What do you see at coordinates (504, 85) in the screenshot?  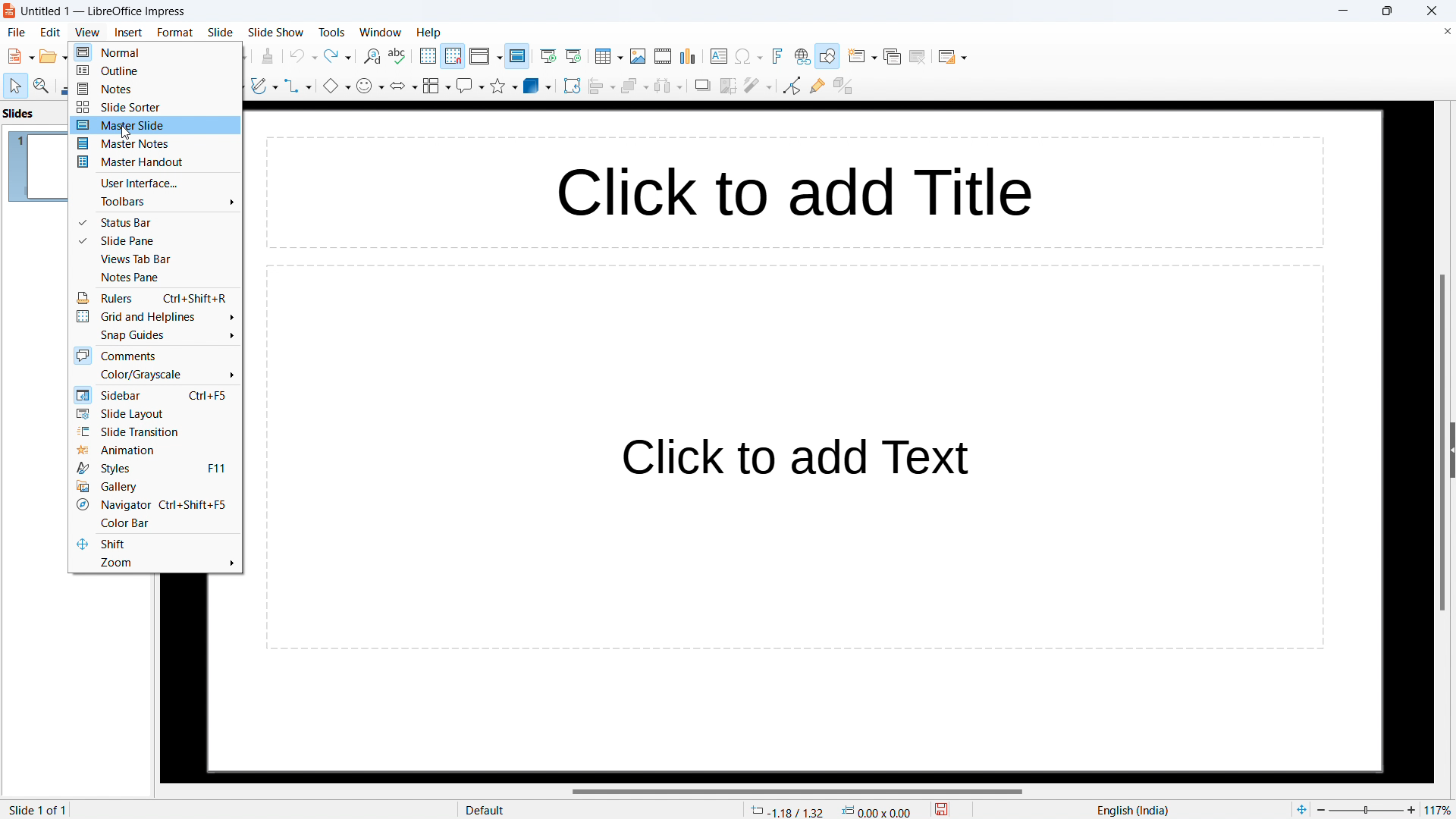 I see `stars and banners` at bounding box center [504, 85].